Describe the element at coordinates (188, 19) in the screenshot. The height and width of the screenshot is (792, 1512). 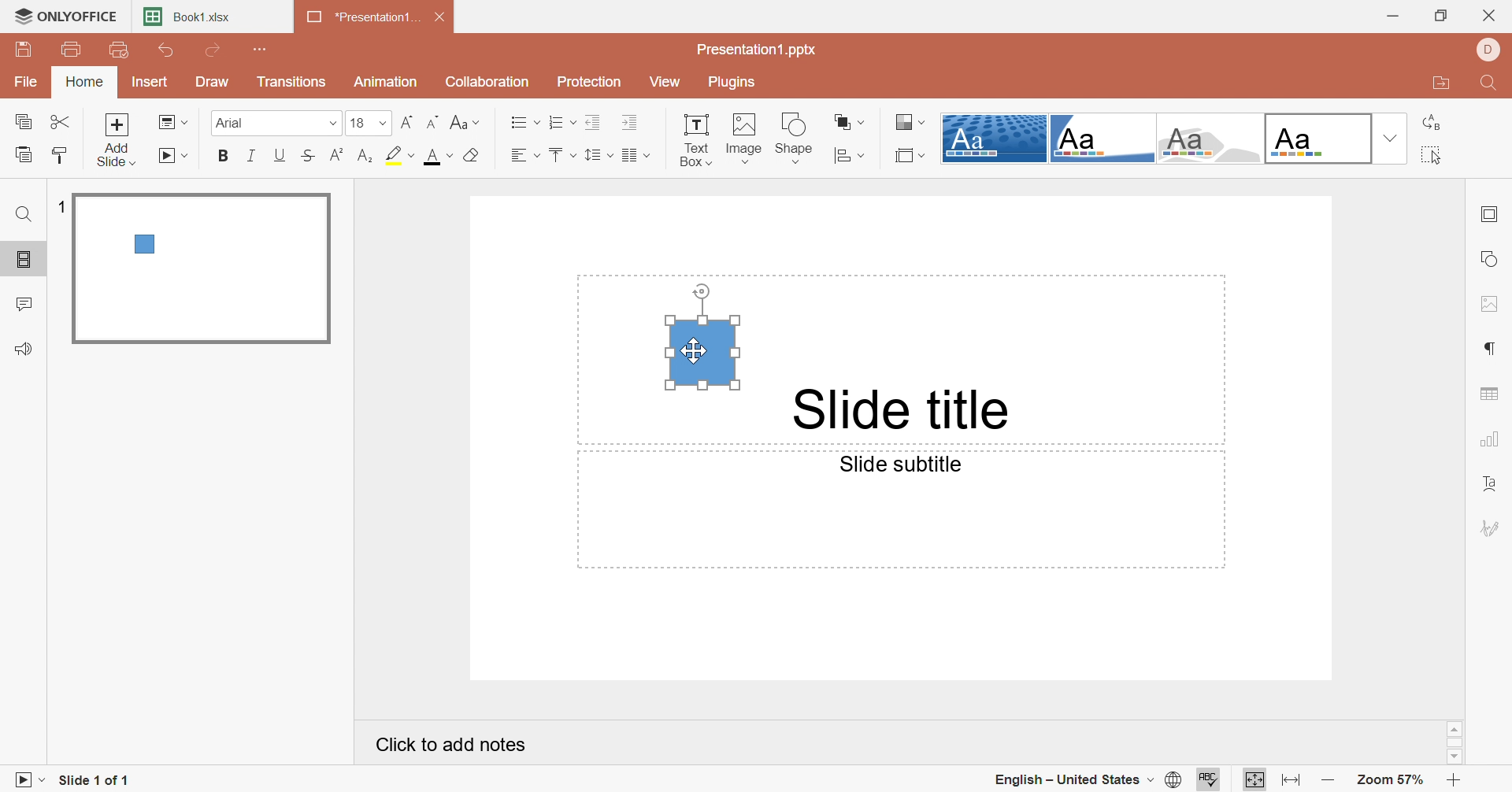
I see `Book1.xlsx` at that location.